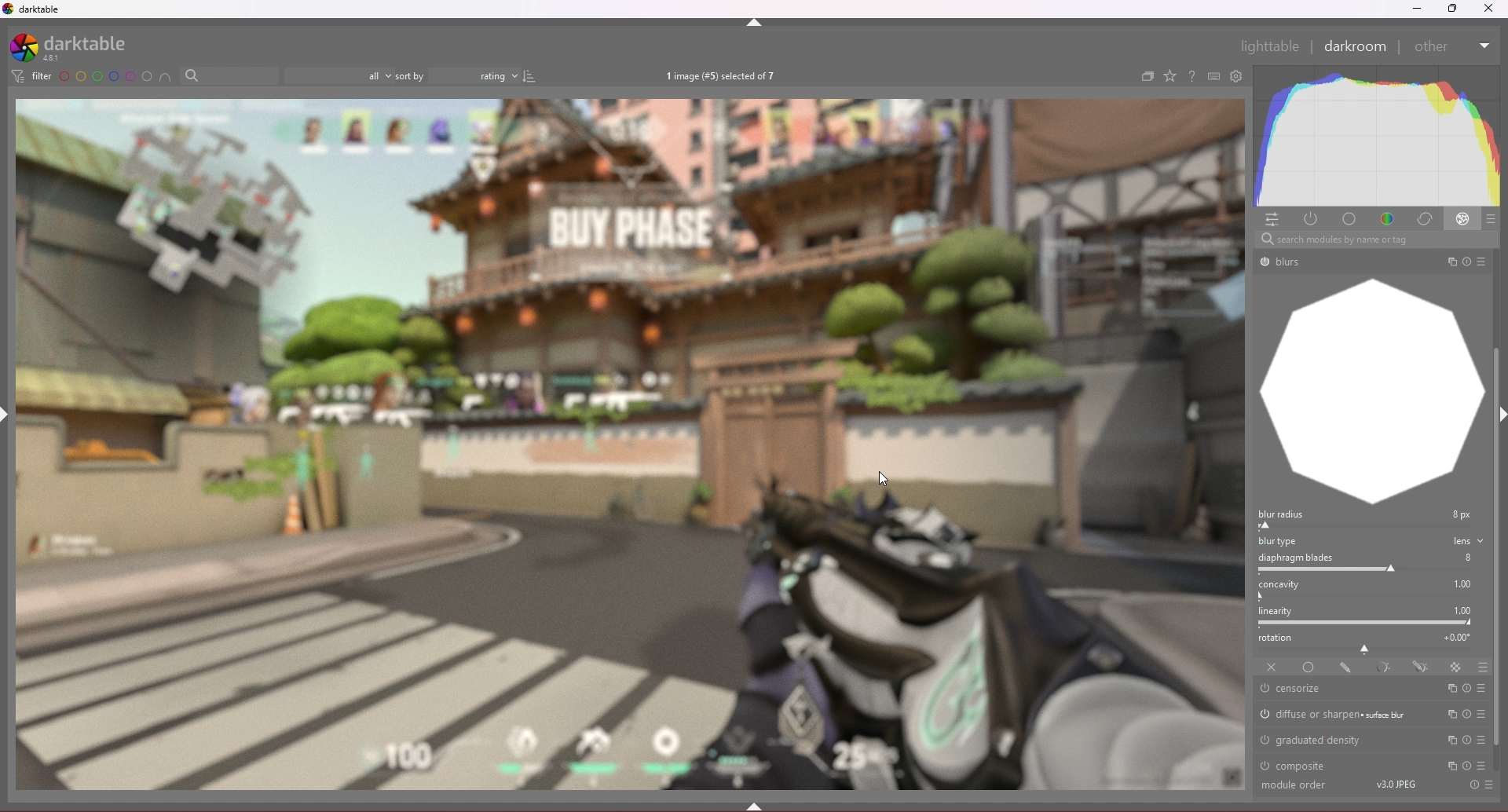  I want to click on graph, so click(1372, 400).